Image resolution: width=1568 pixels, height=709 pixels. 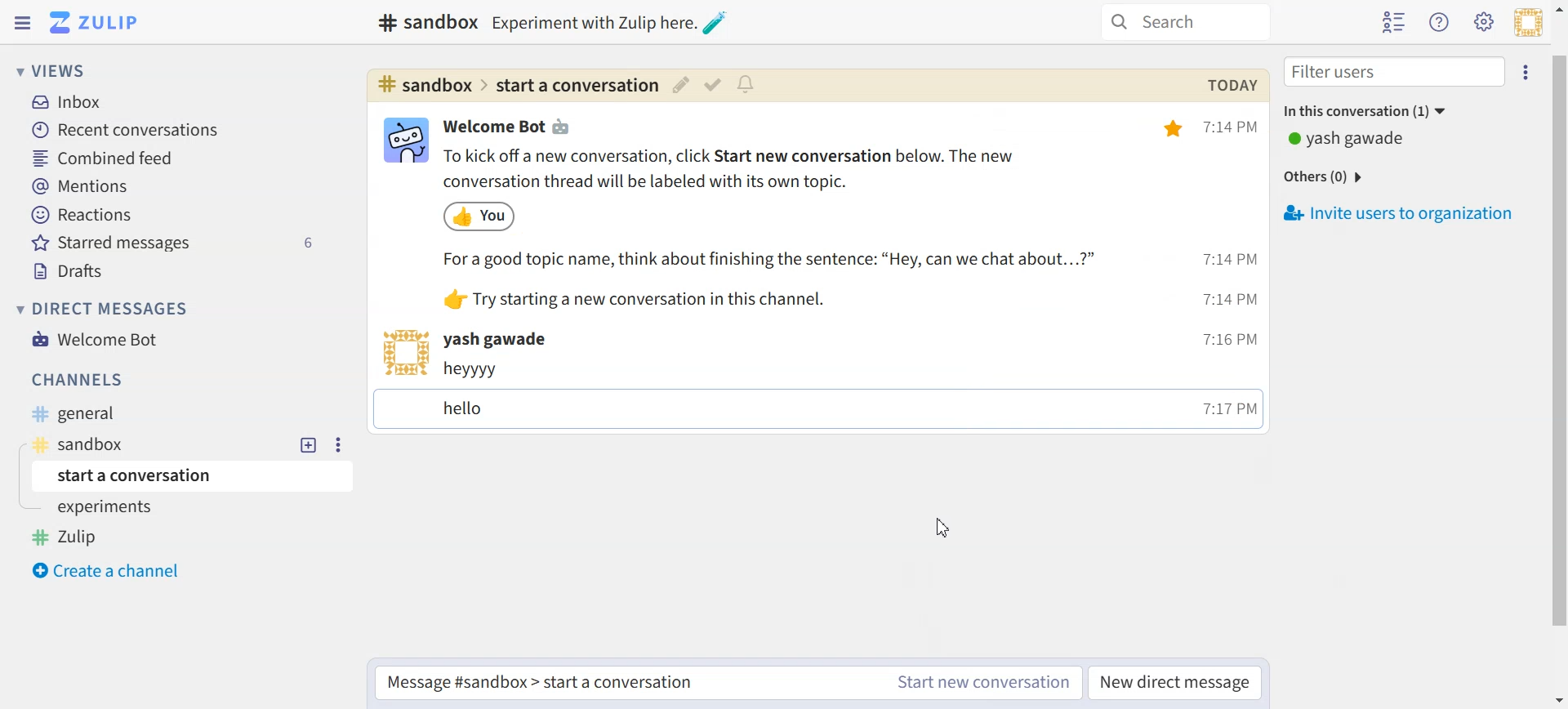 I want to click on Configure topic notification, so click(x=748, y=84).